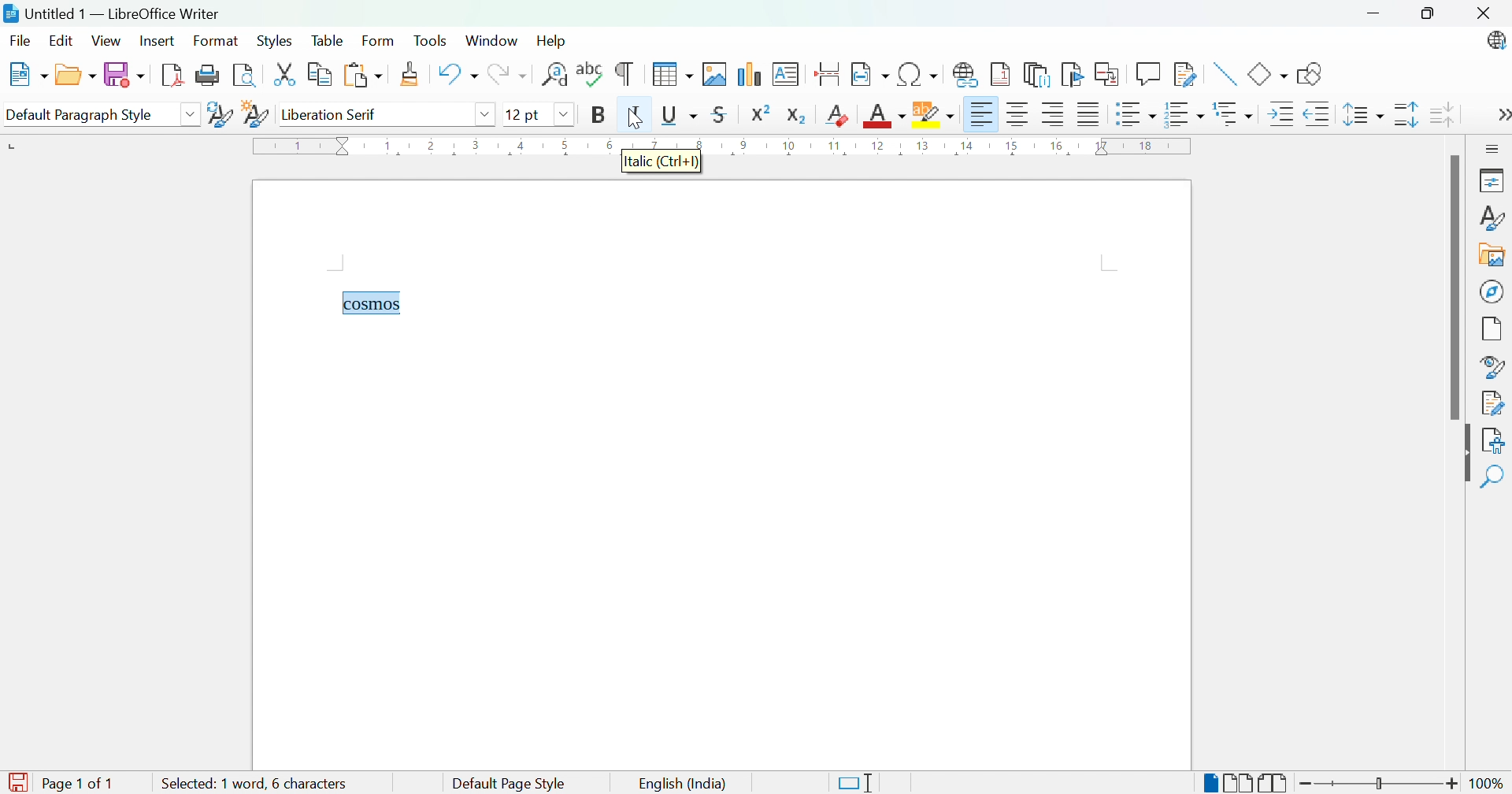 This screenshot has height=794, width=1512. Describe the element at coordinates (1379, 783) in the screenshot. I see `Slider` at that location.